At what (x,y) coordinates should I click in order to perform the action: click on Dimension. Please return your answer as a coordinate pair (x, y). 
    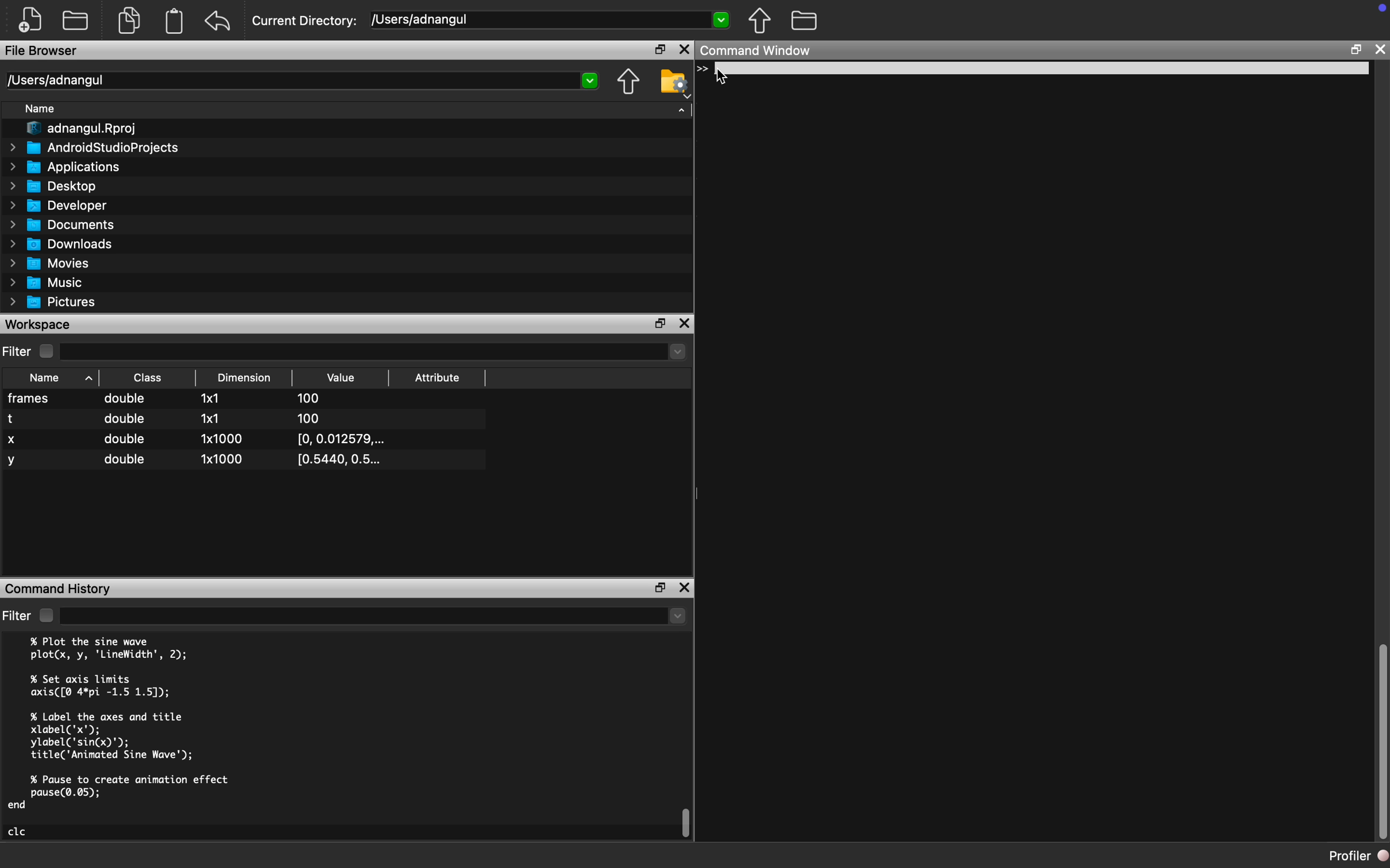
    Looking at the image, I should click on (244, 377).